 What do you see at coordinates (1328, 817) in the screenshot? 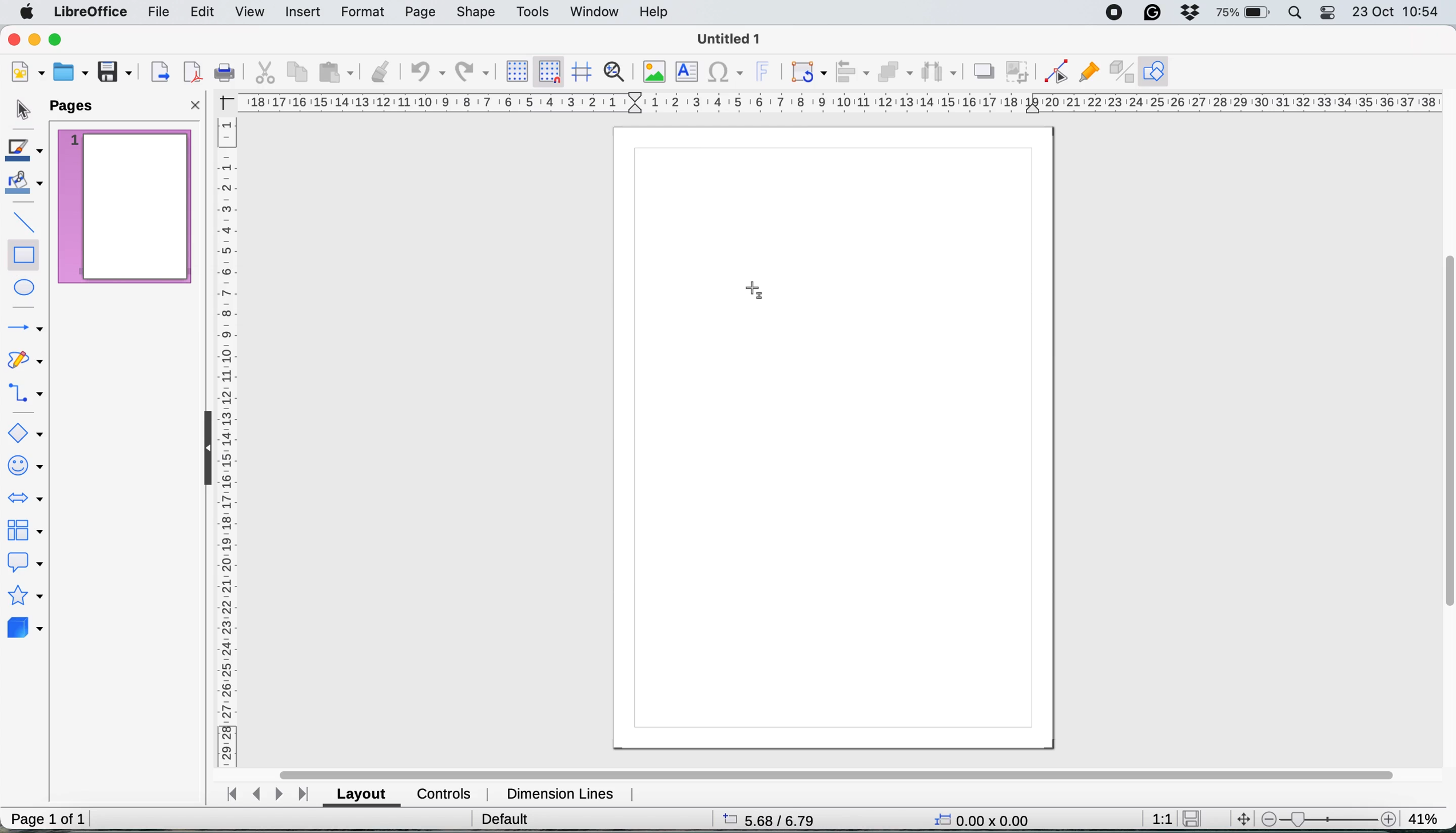
I see `zoom scale` at bounding box center [1328, 817].